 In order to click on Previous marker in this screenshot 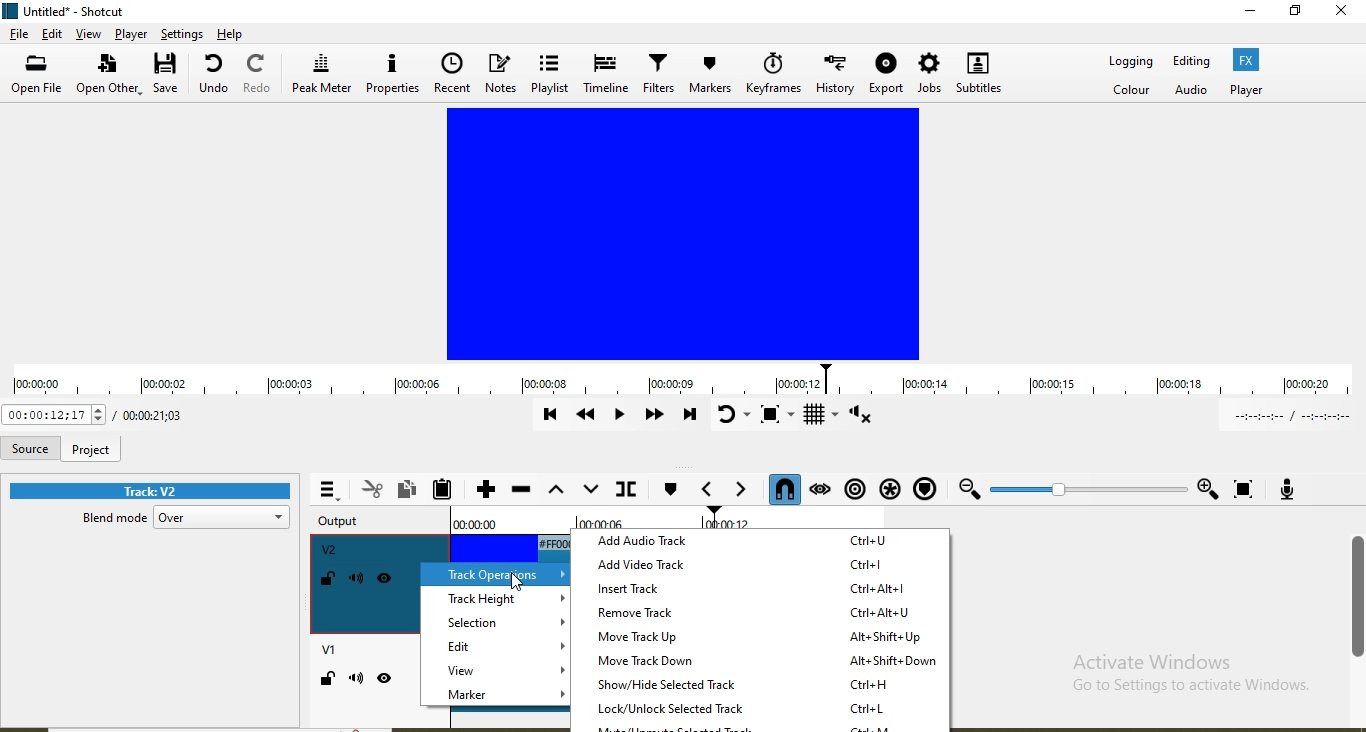, I will do `click(710, 492)`.